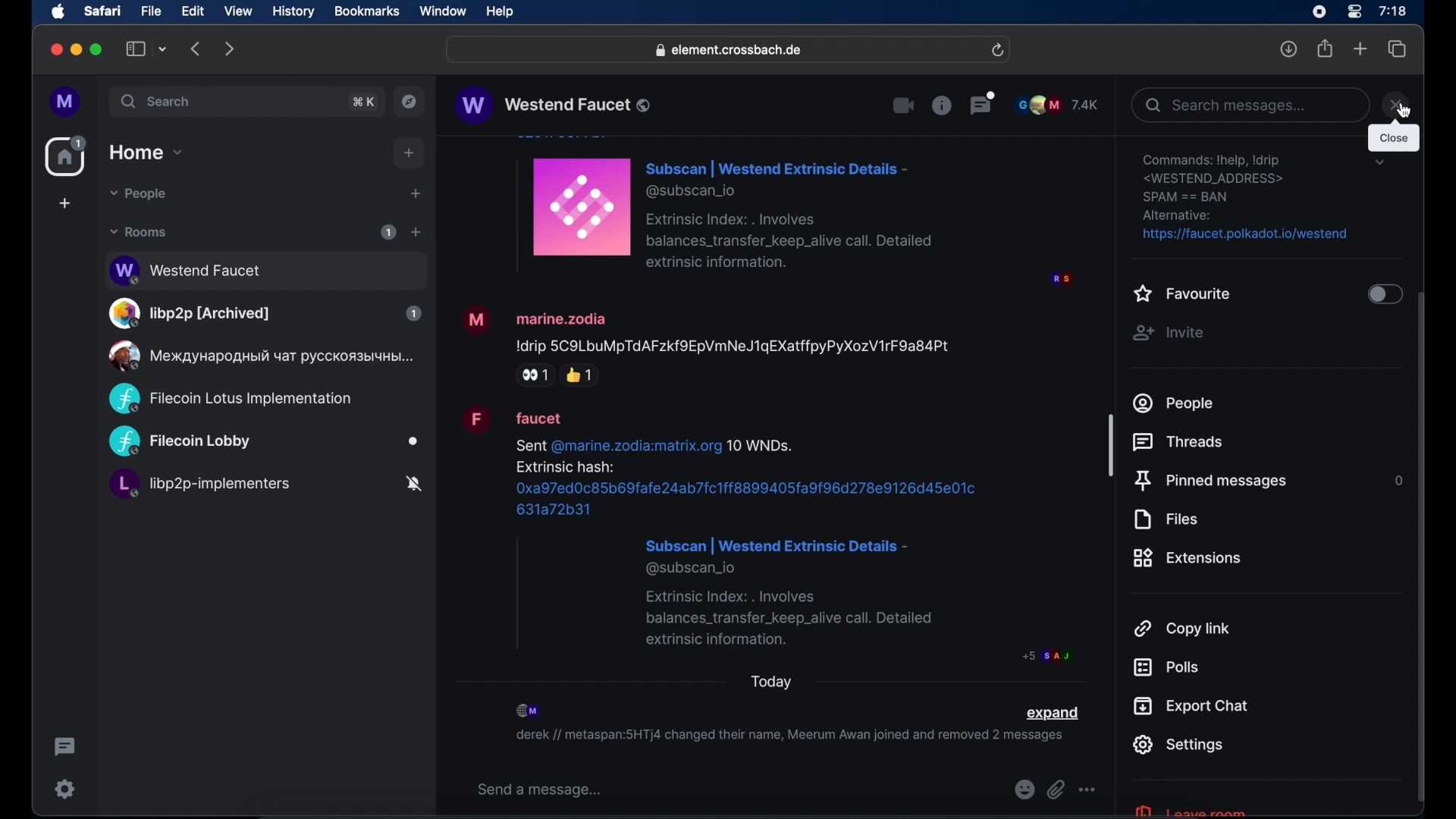 The height and width of the screenshot is (819, 1456). What do you see at coordinates (766, 535) in the screenshot?
I see `message` at bounding box center [766, 535].